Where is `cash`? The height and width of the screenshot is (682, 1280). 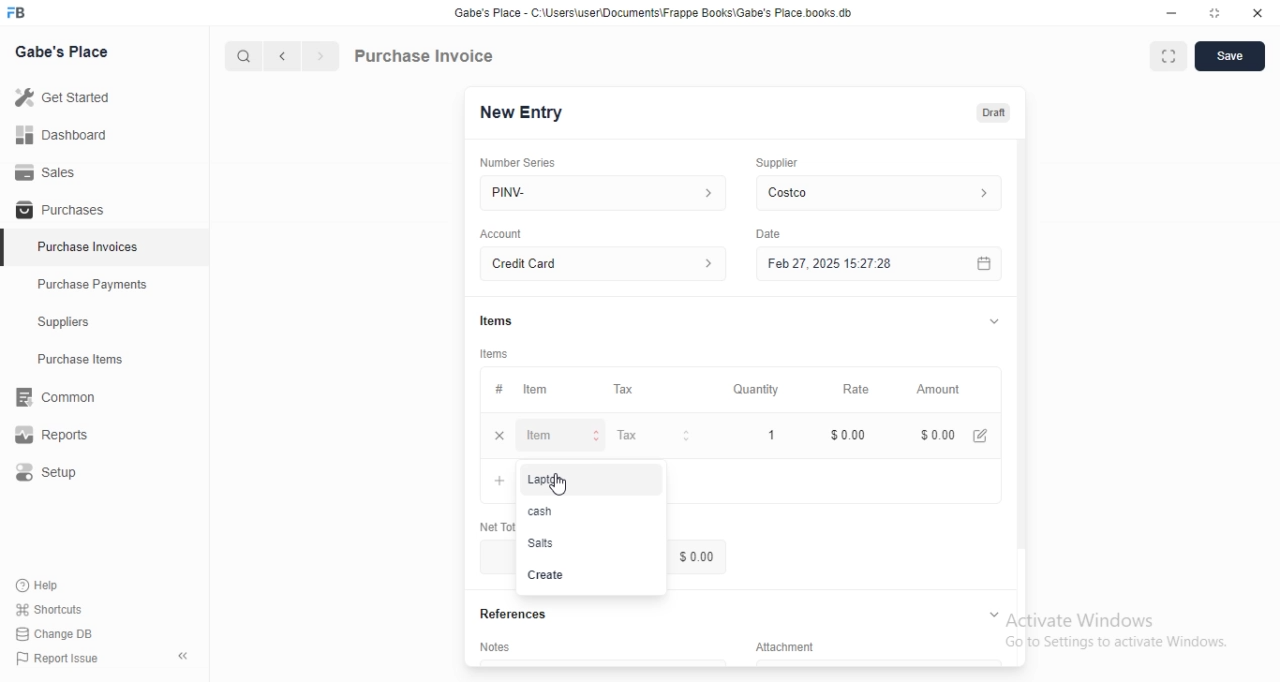 cash is located at coordinates (591, 511).